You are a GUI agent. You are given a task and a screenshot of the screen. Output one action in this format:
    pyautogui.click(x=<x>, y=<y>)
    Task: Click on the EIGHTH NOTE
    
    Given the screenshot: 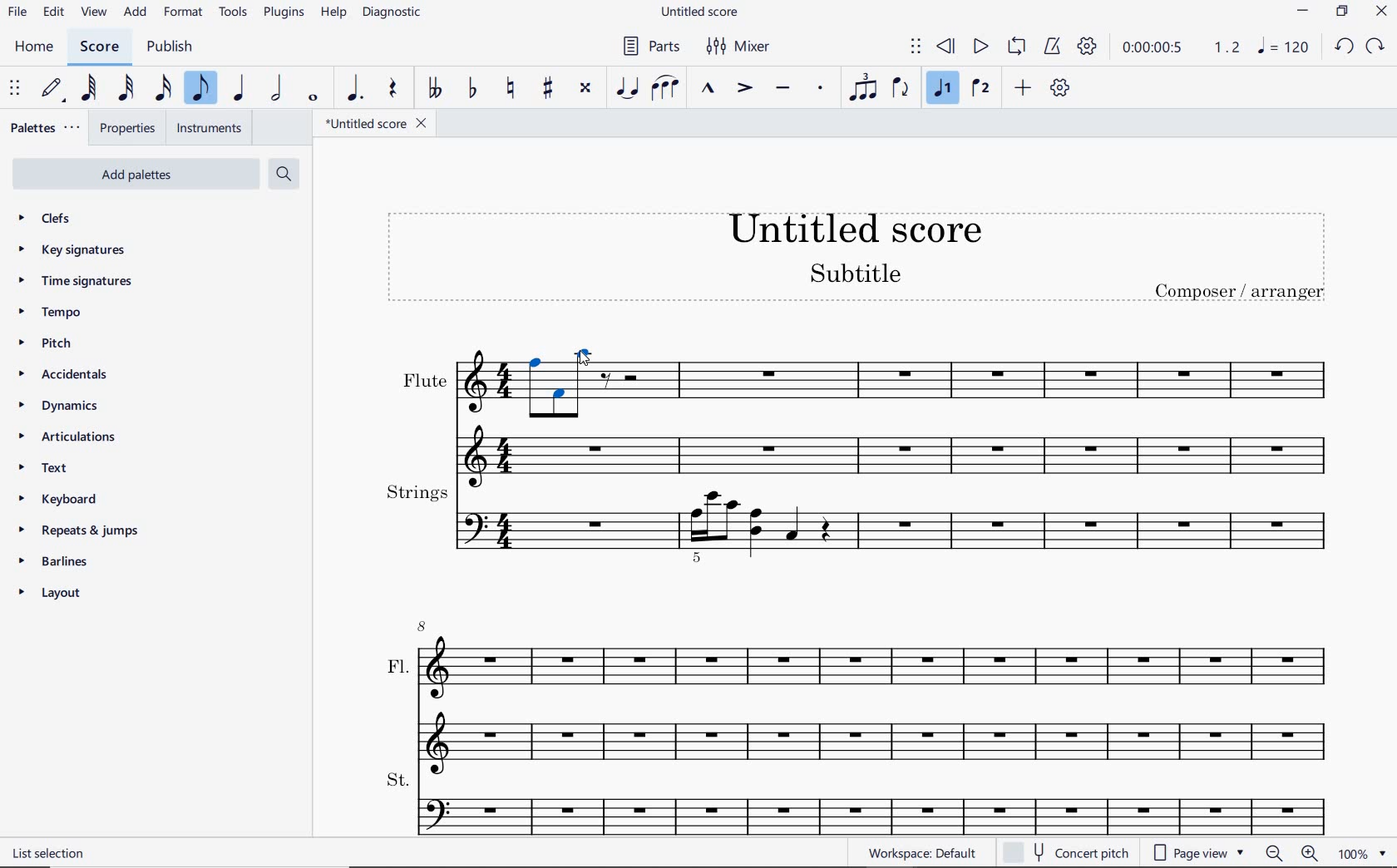 What is the action you would take?
    pyautogui.click(x=201, y=89)
    